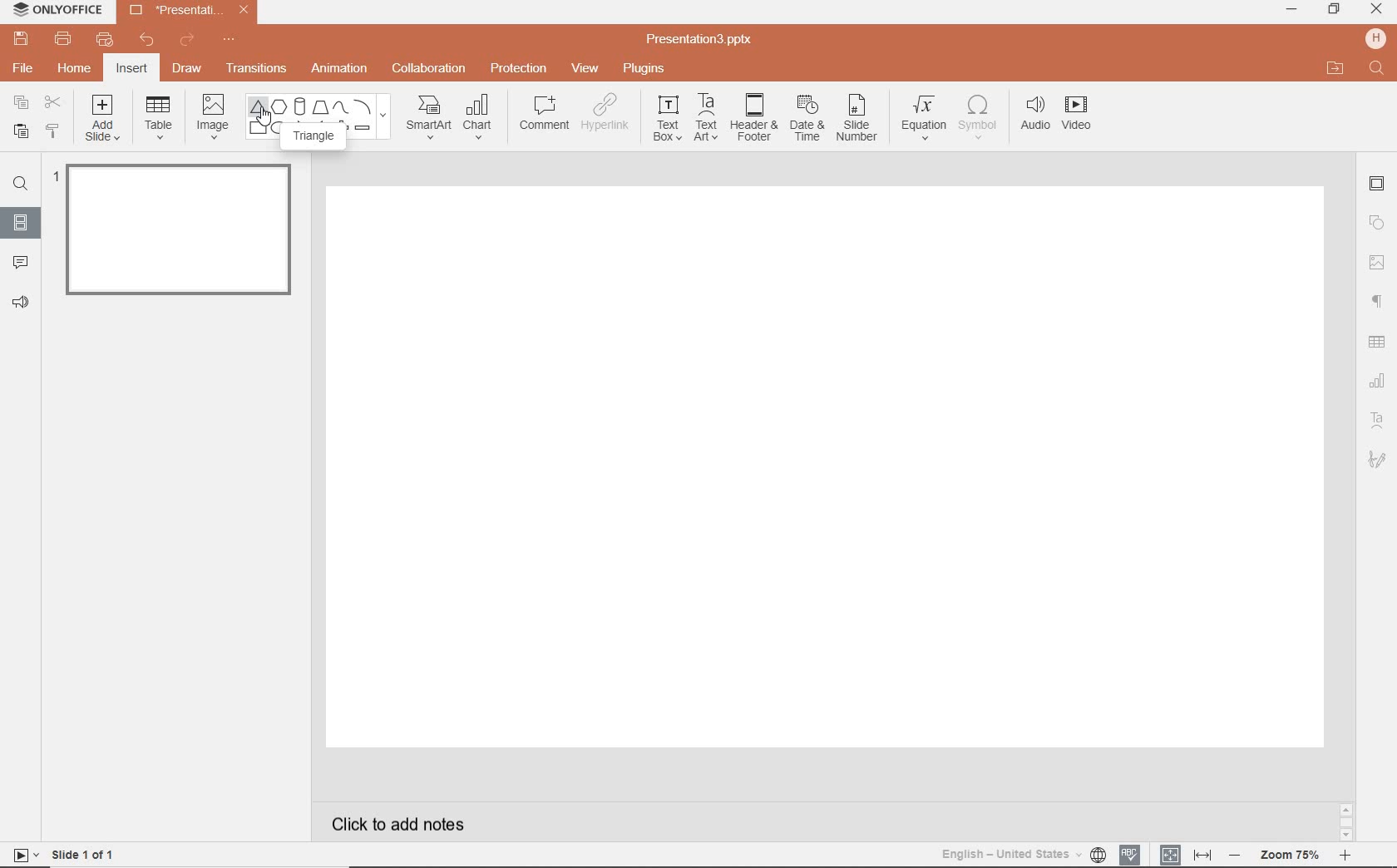 Image resolution: width=1397 pixels, height=868 pixels. Describe the element at coordinates (1376, 10) in the screenshot. I see `CLOSE` at that location.